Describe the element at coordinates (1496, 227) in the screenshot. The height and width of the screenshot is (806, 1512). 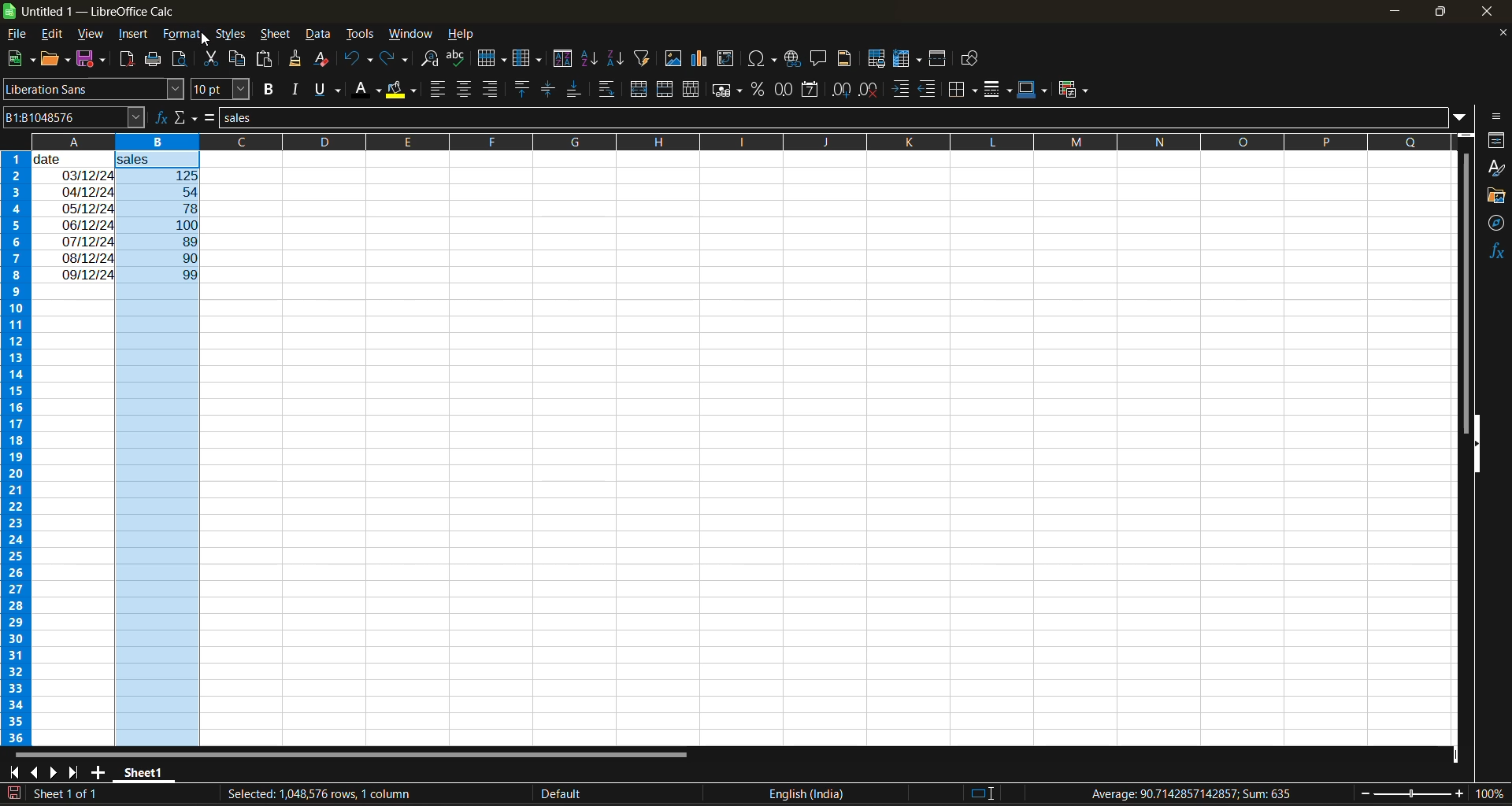
I see `navigator` at that location.